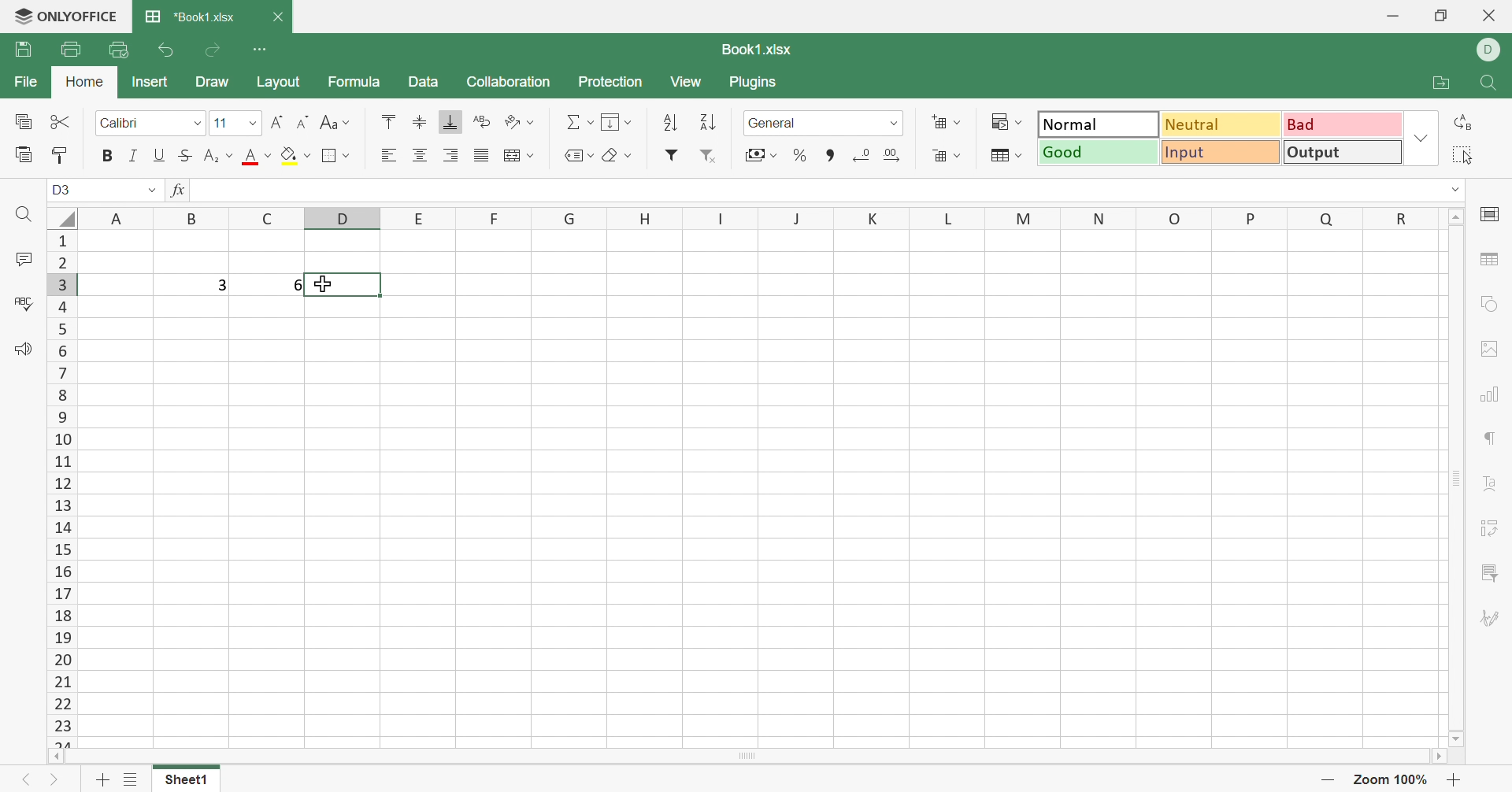 This screenshot has height=792, width=1512. What do you see at coordinates (277, 124) in the screenshot?
I see `Increment font size` at bounding box center [277, 124].